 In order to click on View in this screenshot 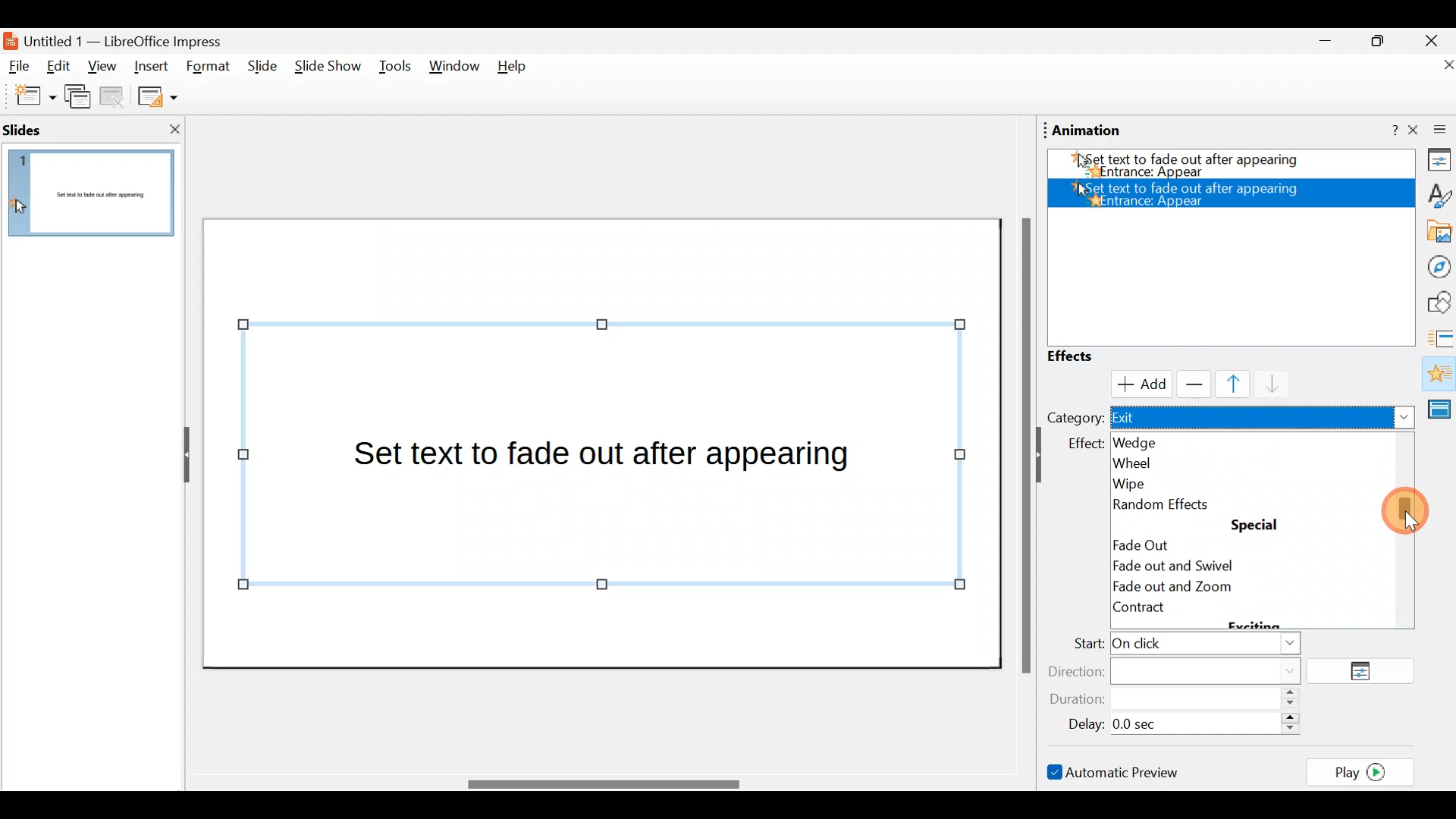, I will do `click(102, 71)`.